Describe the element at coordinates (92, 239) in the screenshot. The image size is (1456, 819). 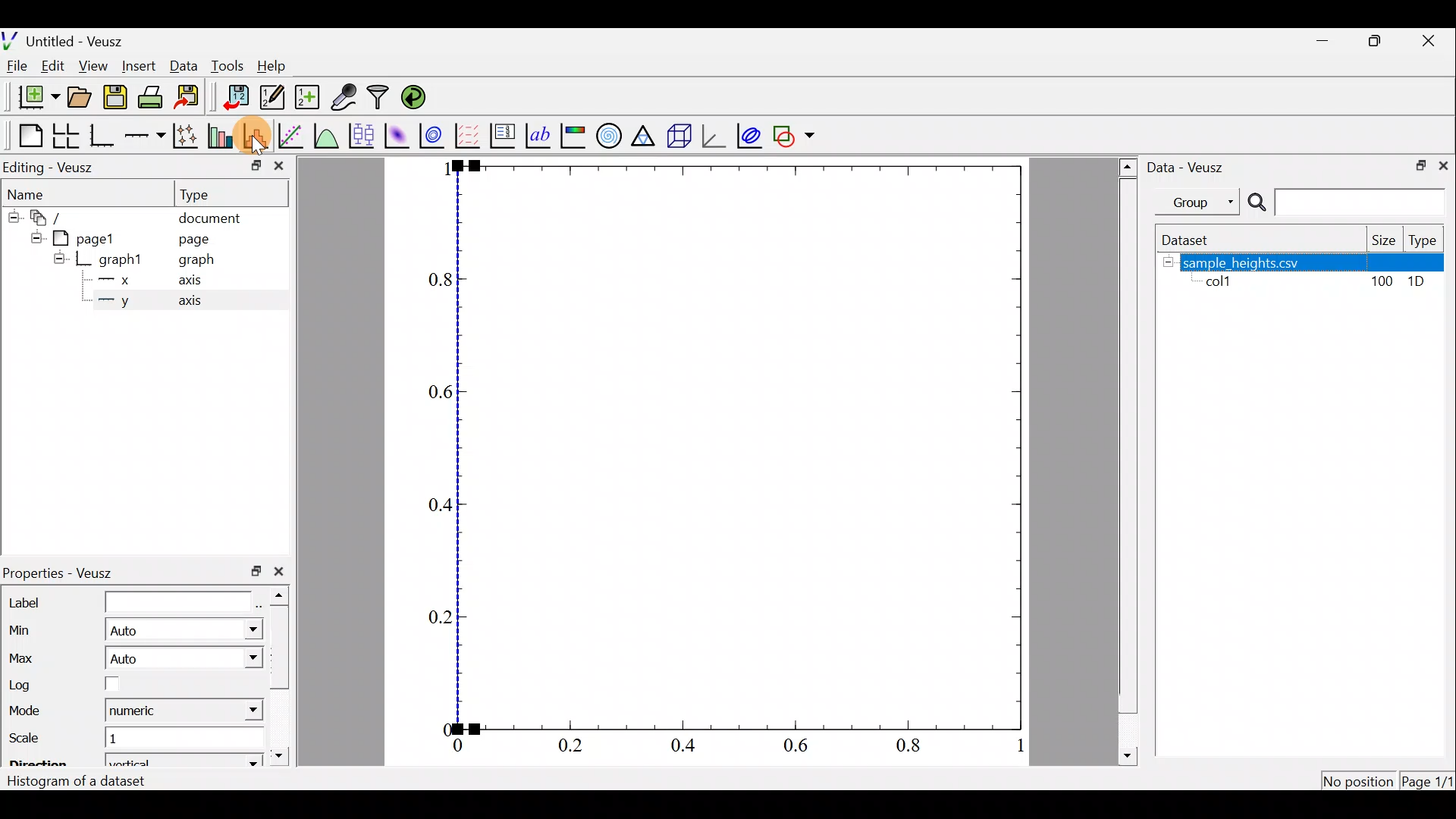
I see `page` at that location.